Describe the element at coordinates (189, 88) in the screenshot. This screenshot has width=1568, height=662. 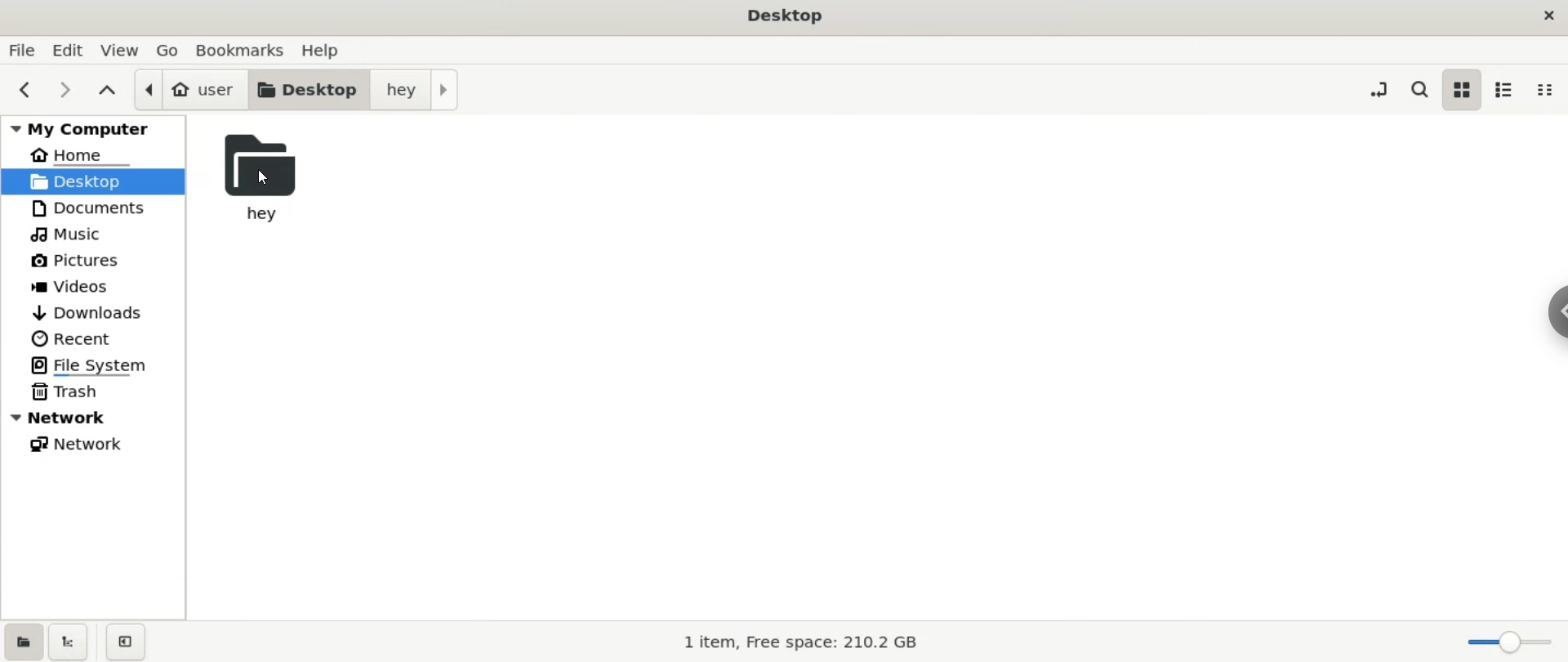
I see `user` at that location.